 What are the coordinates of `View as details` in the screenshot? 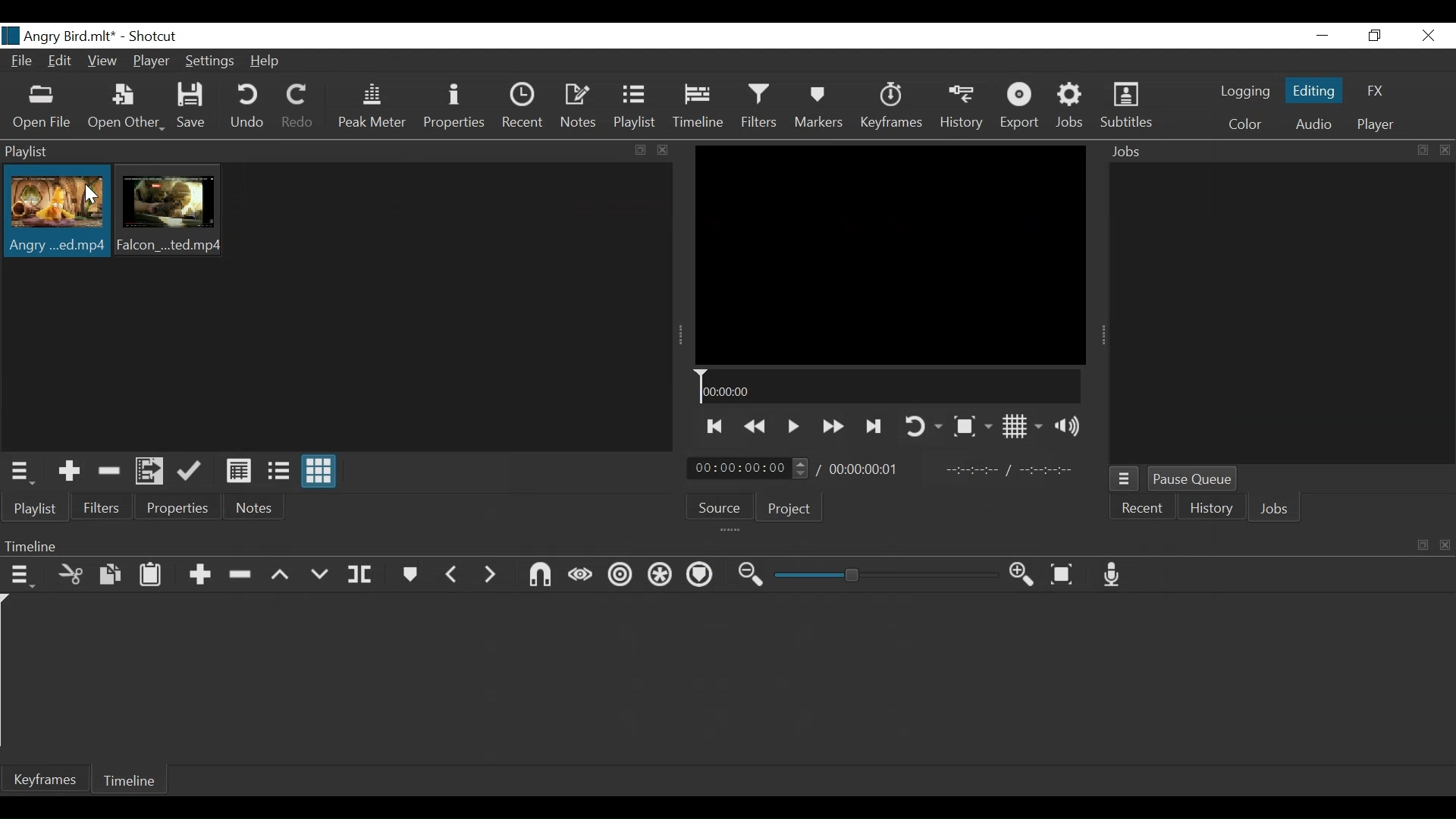 It's located at (240, 472).